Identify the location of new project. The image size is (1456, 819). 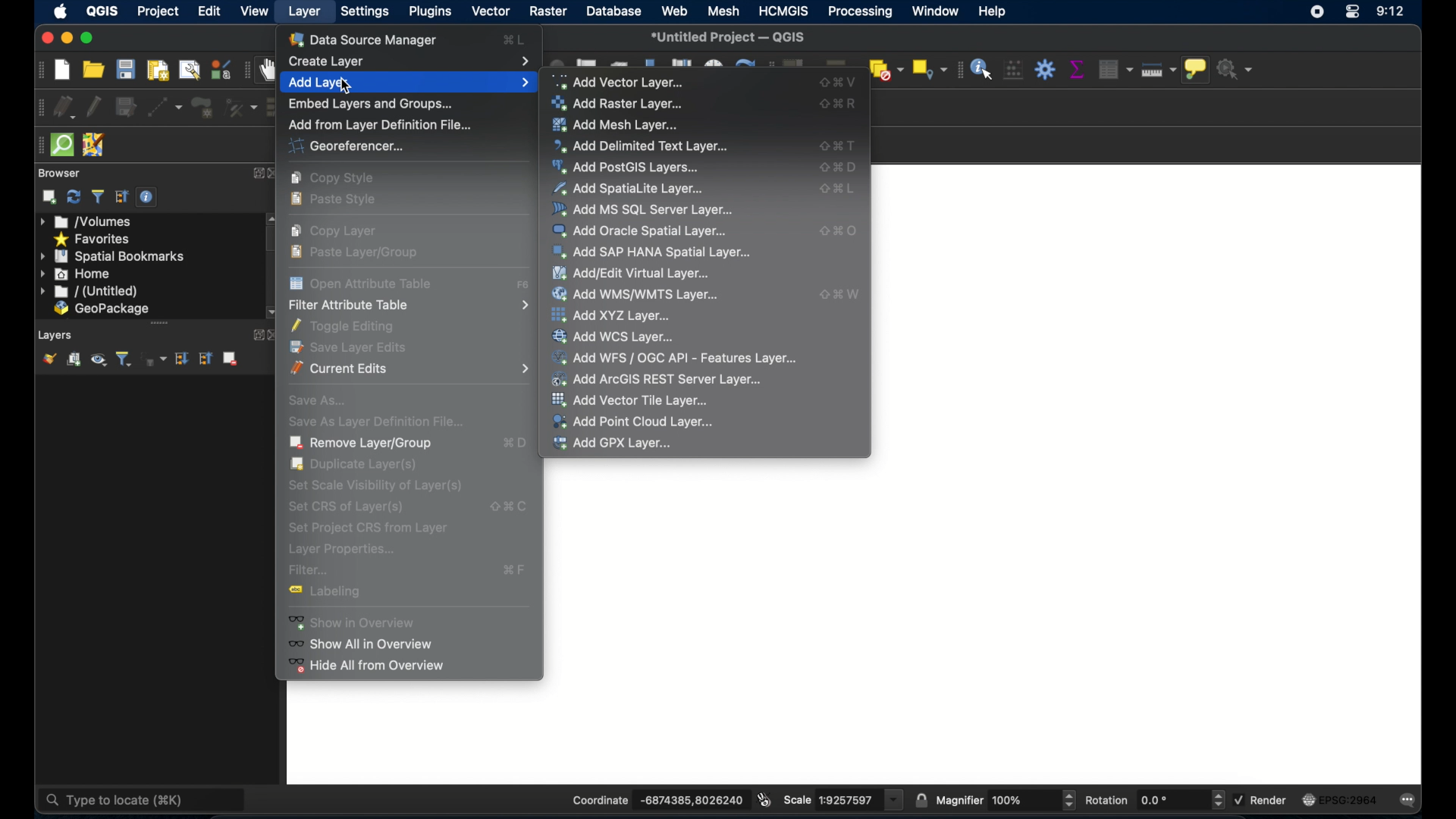
(61, 70).